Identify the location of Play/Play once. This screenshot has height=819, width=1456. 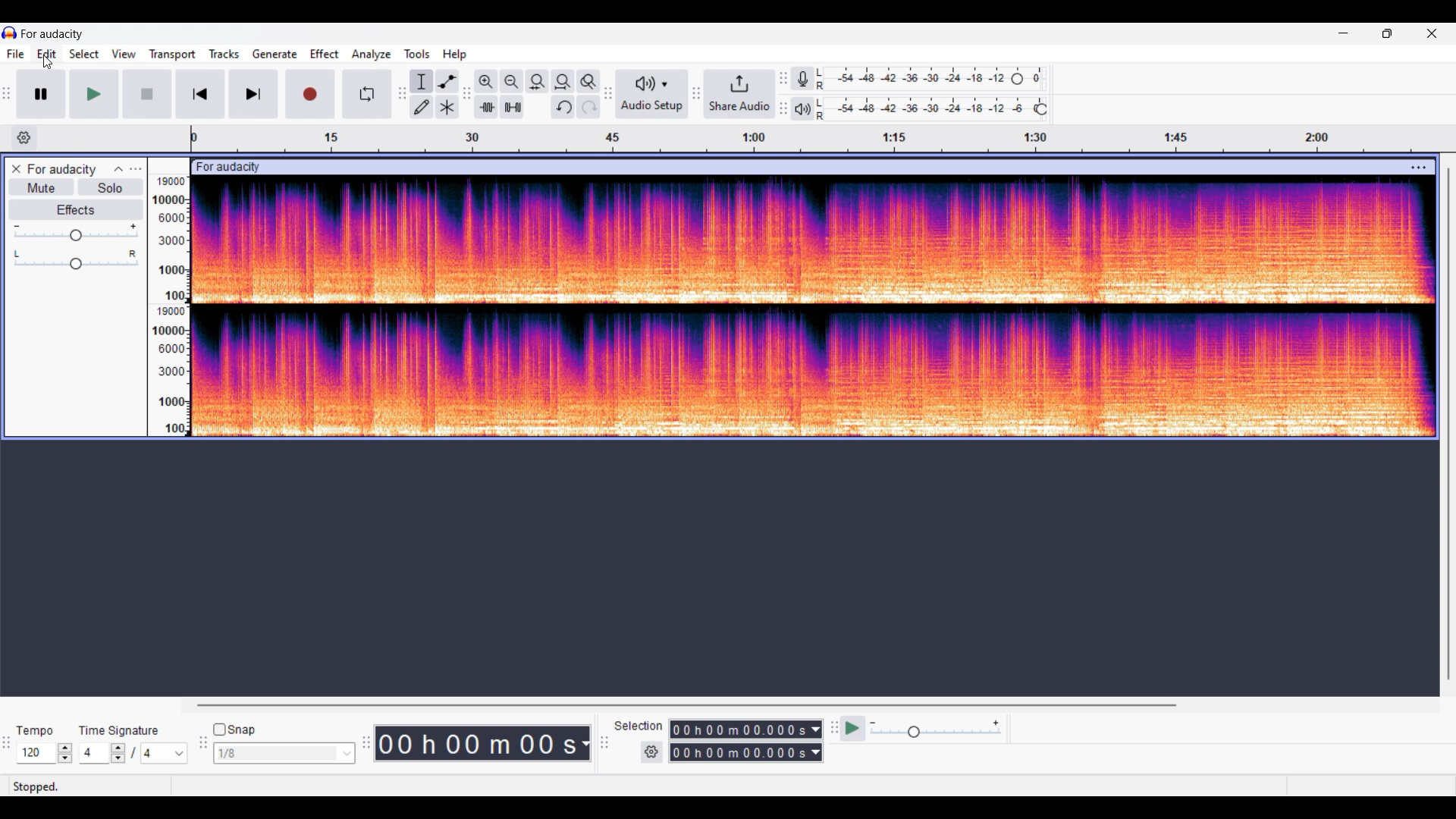
(94, 94).